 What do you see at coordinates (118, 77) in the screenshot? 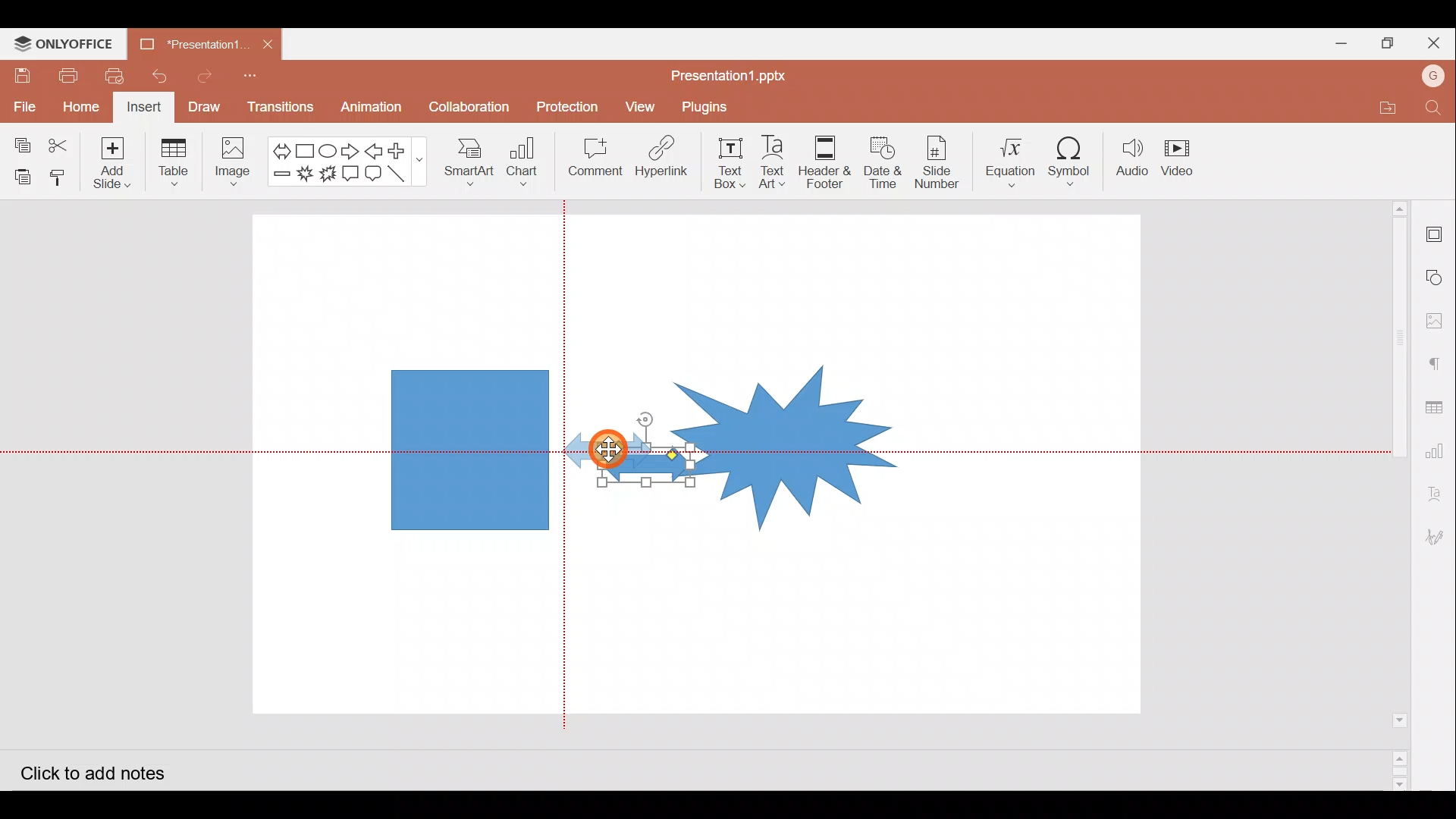
I see `Quick print` at bounding box center [118, 77].